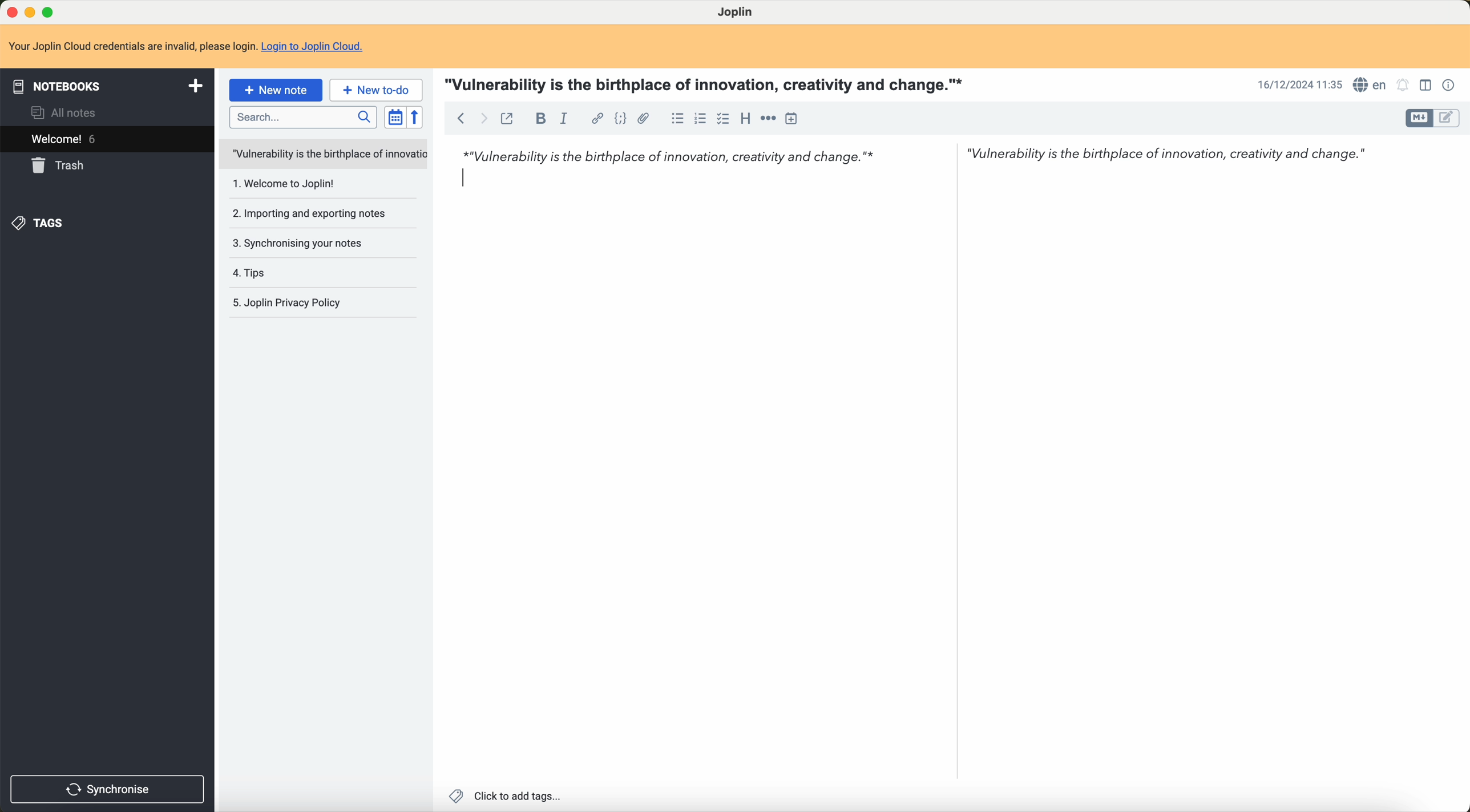  I want to click on toggle editor, so click(1447, 120).